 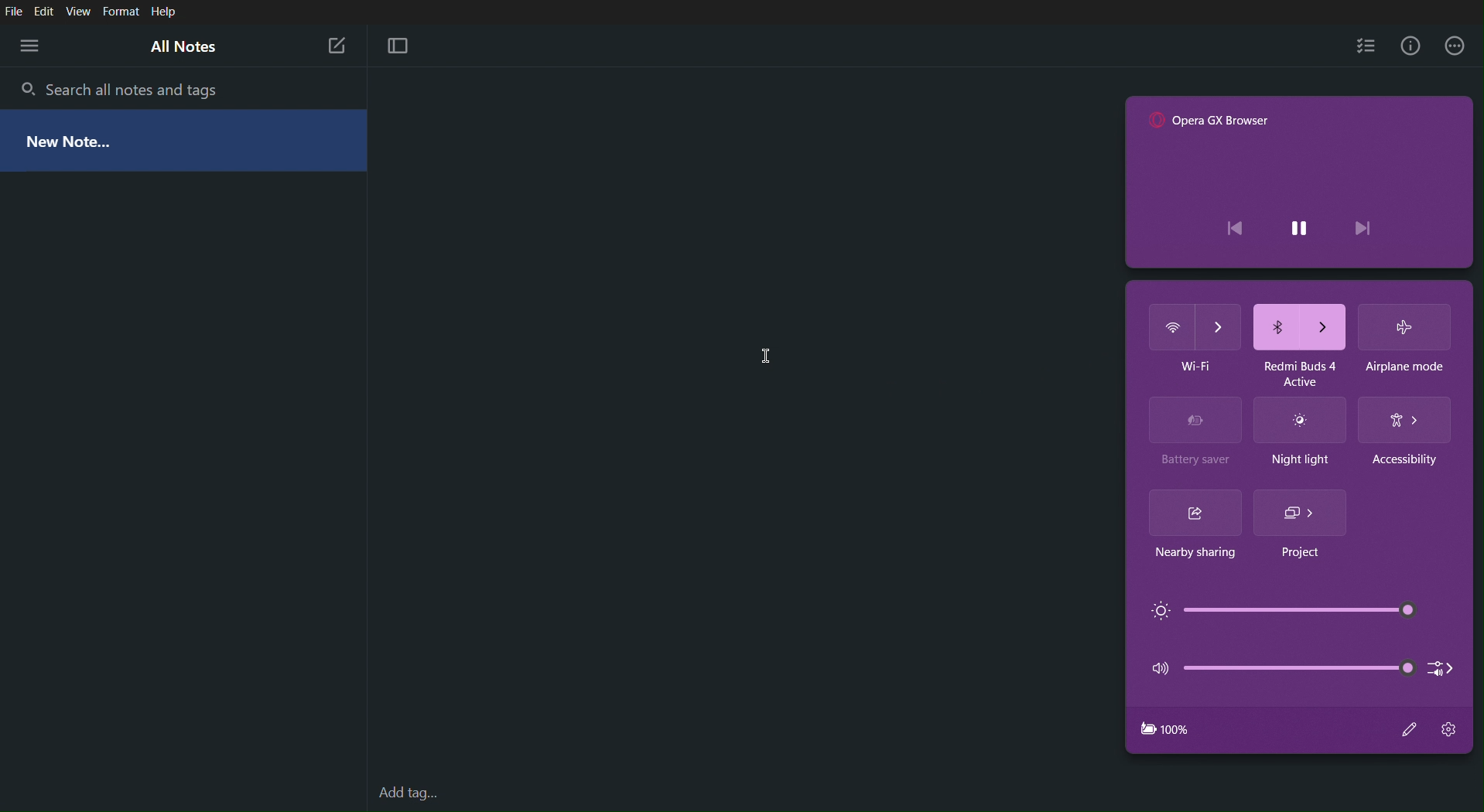 I want to click on Checklist, so click(x=1365, y=46).